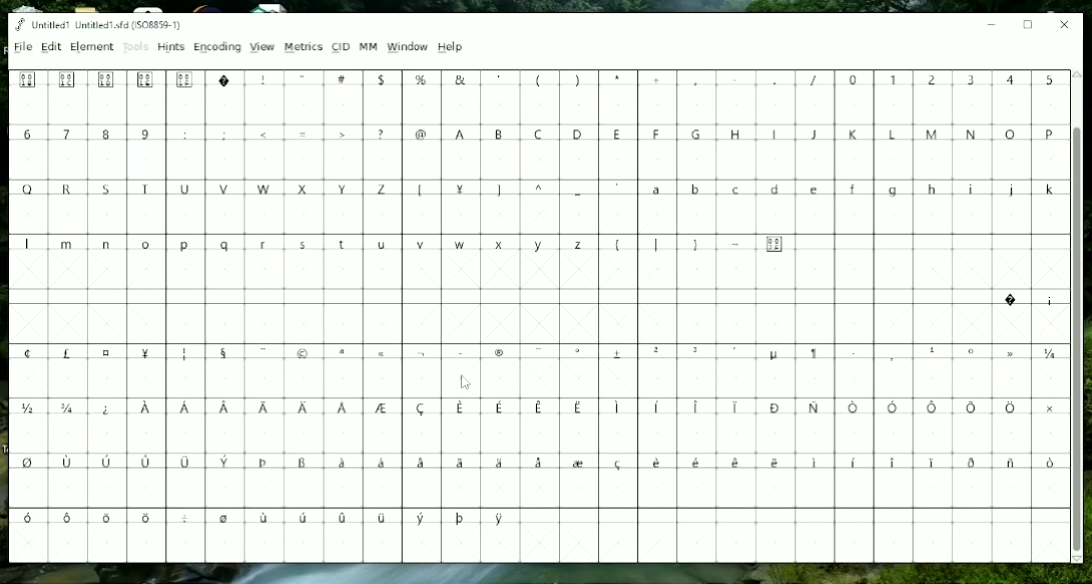  Describe the element at coordinates (992, 23) in the screenshot. I see `Minimize` at that location.